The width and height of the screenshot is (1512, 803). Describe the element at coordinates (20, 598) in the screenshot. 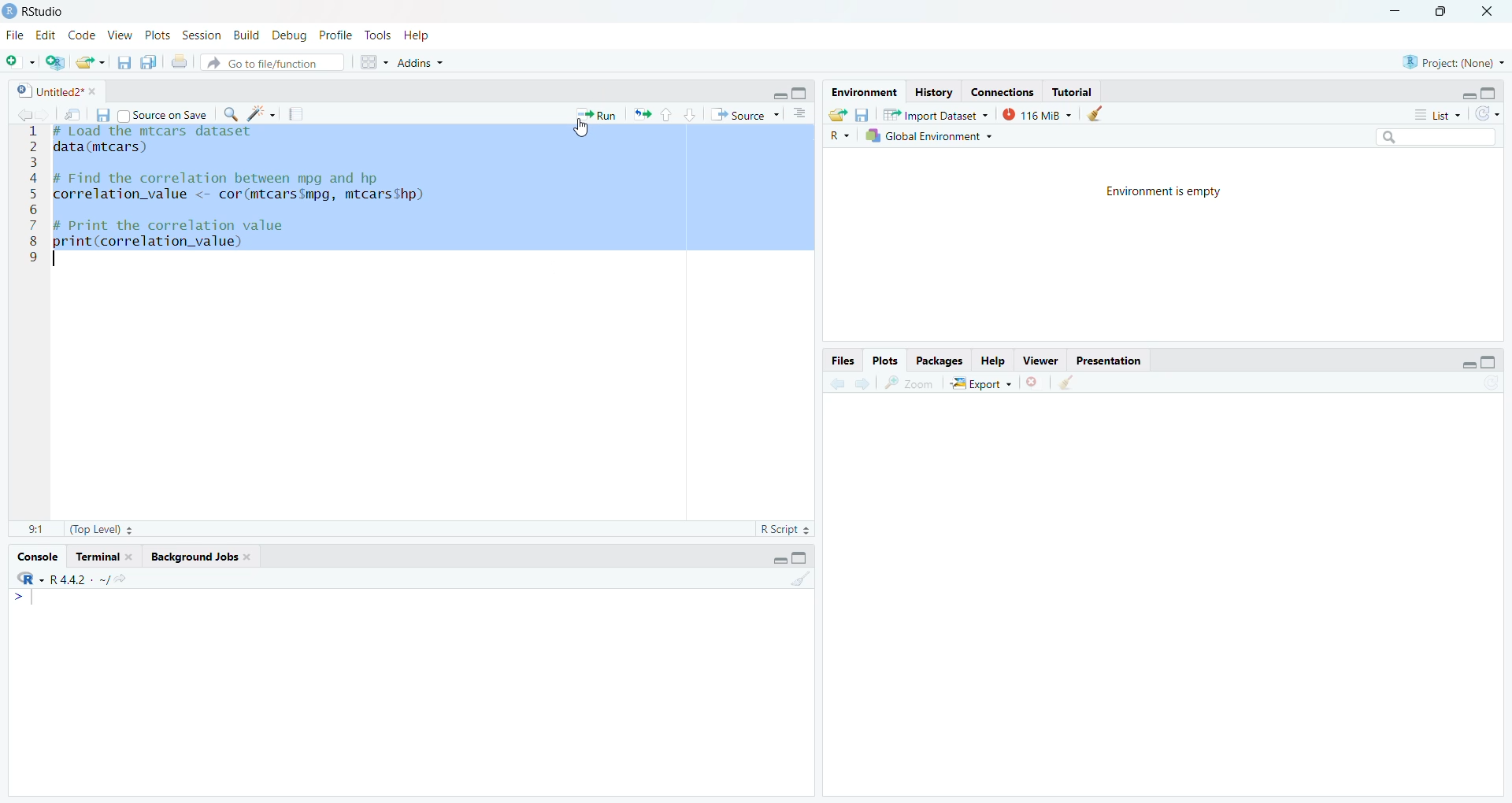

I see `Prompt cursor` at that location.